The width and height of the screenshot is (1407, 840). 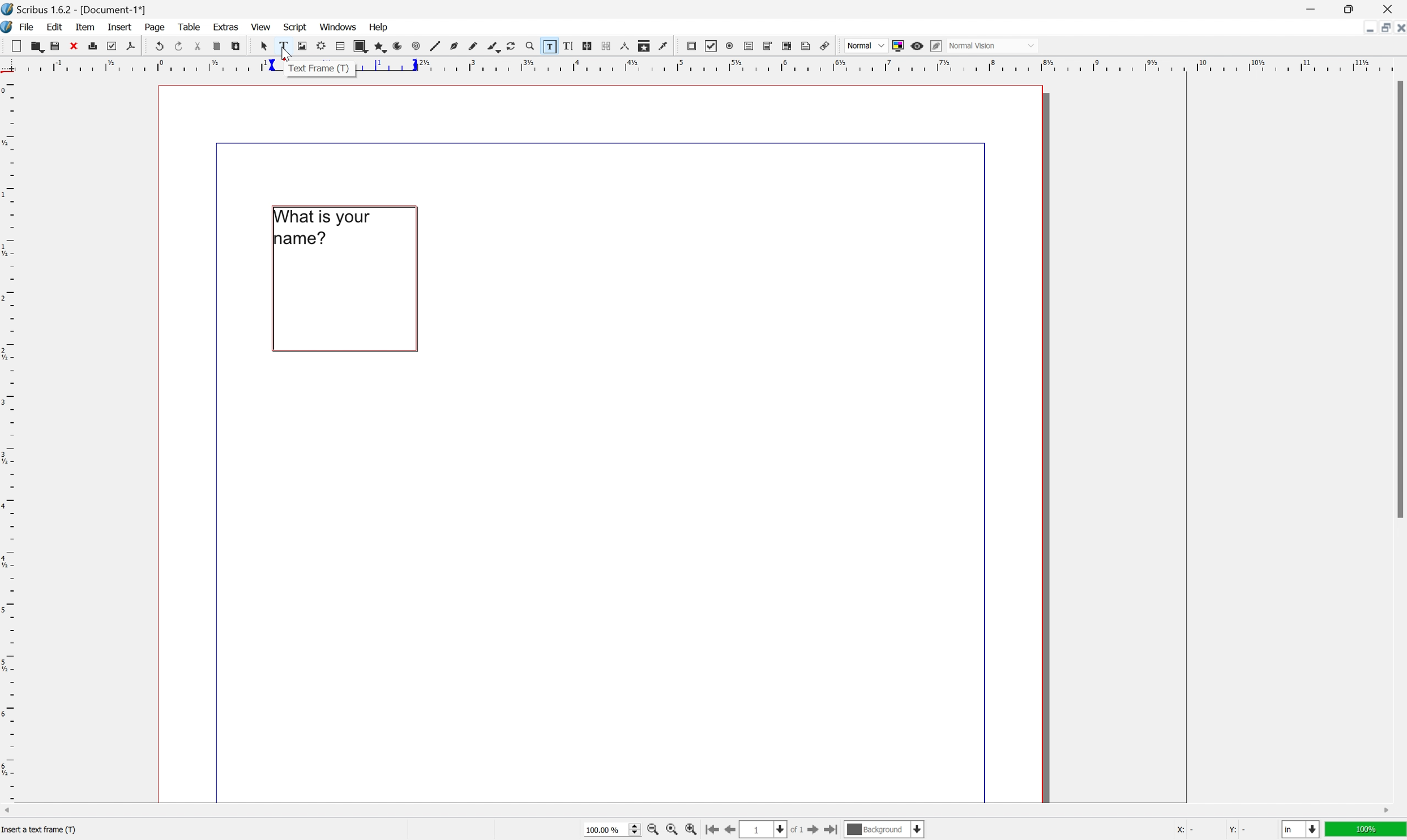 I want to click on zoom to 100%, so click(x=669, y=830).